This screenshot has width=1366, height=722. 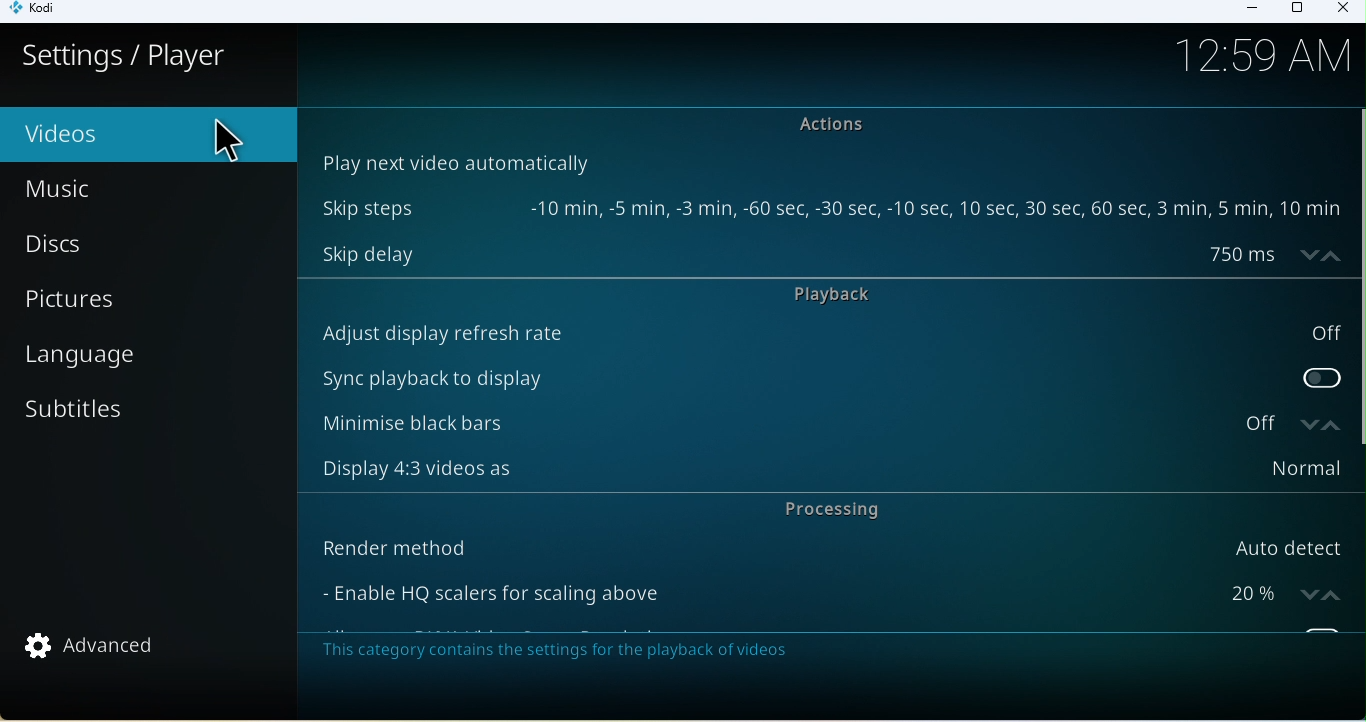 I want to click on Discs, so click(x=136, y=244).